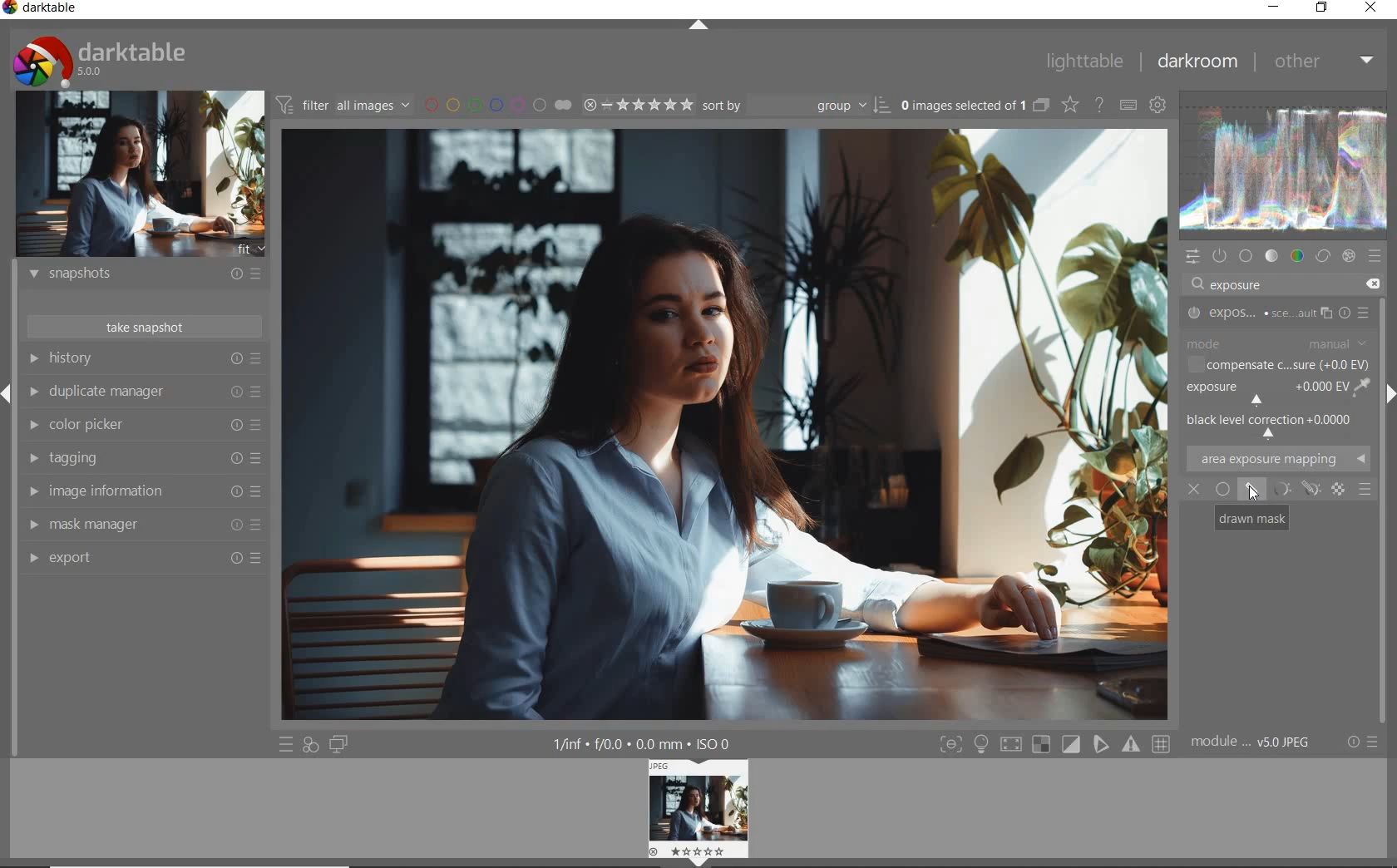  I want to click on toggle modes, so click(1055, 744).